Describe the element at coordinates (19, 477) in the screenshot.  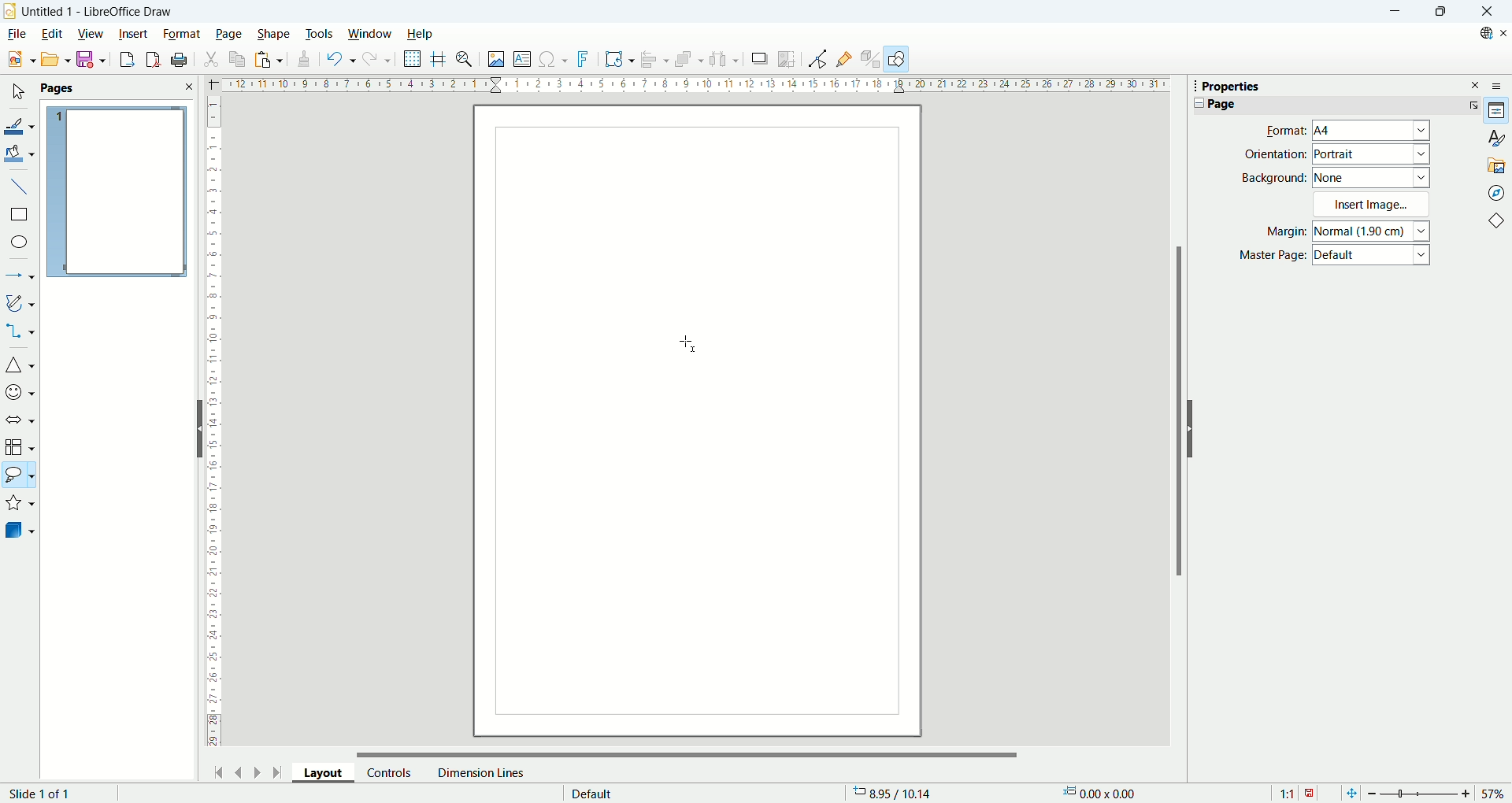
I see `callout shapes` at that location.